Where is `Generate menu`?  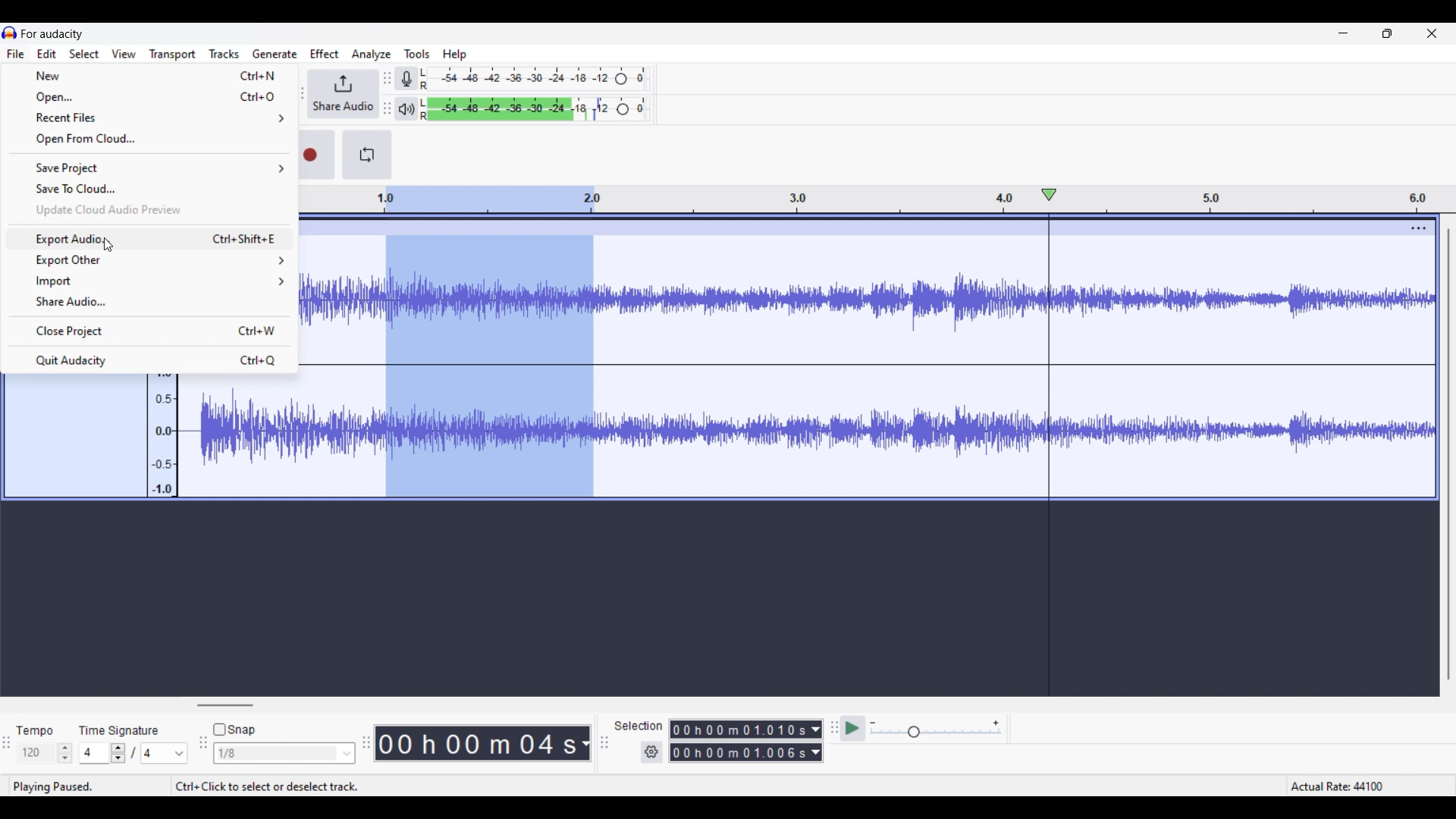
Generate menu is located at coordinates (275, 54).